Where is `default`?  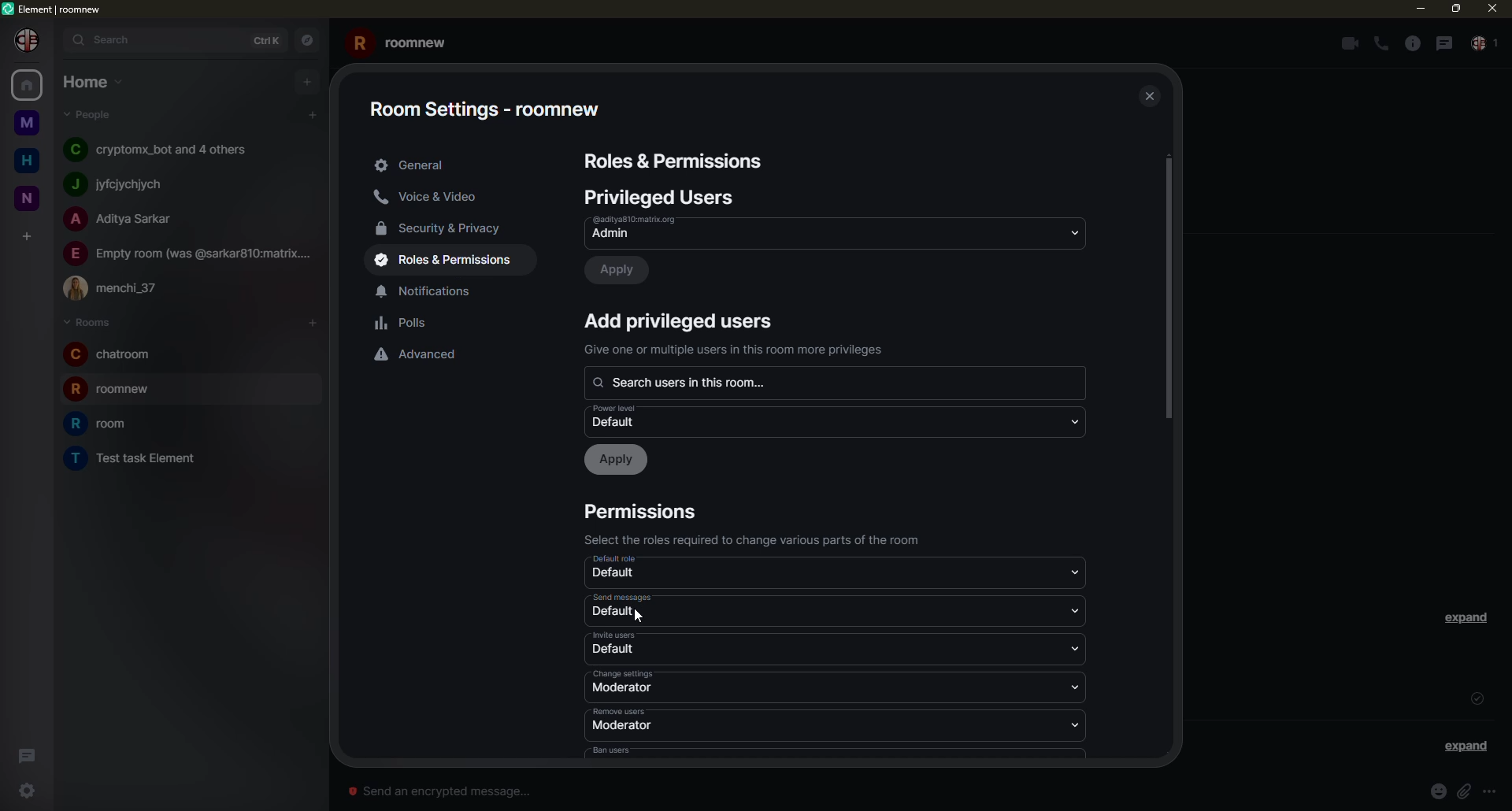 default is located at coordinates (616, 575).